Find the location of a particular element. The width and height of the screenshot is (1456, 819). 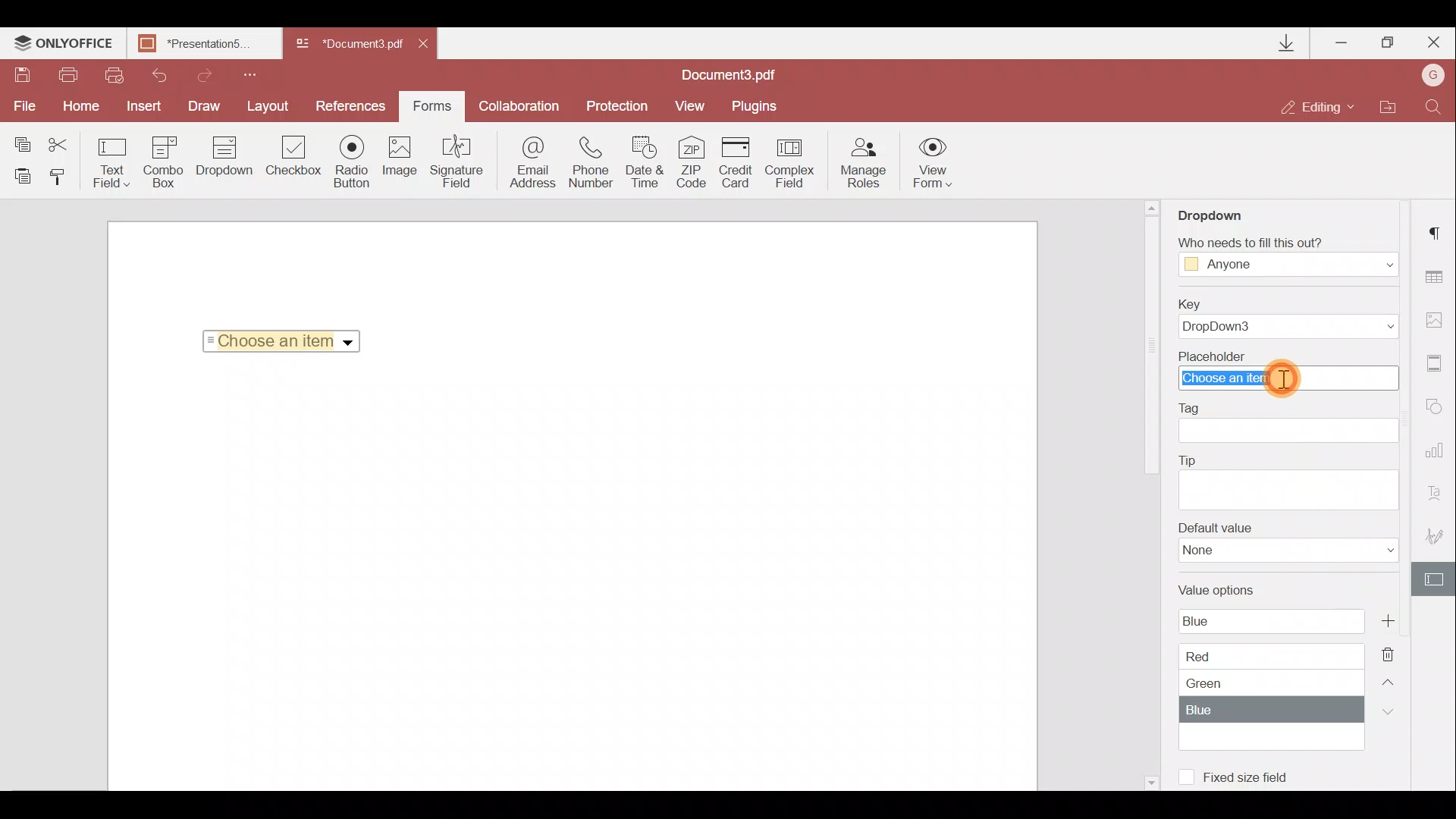

Date & time is located at coordinates (648, 162).